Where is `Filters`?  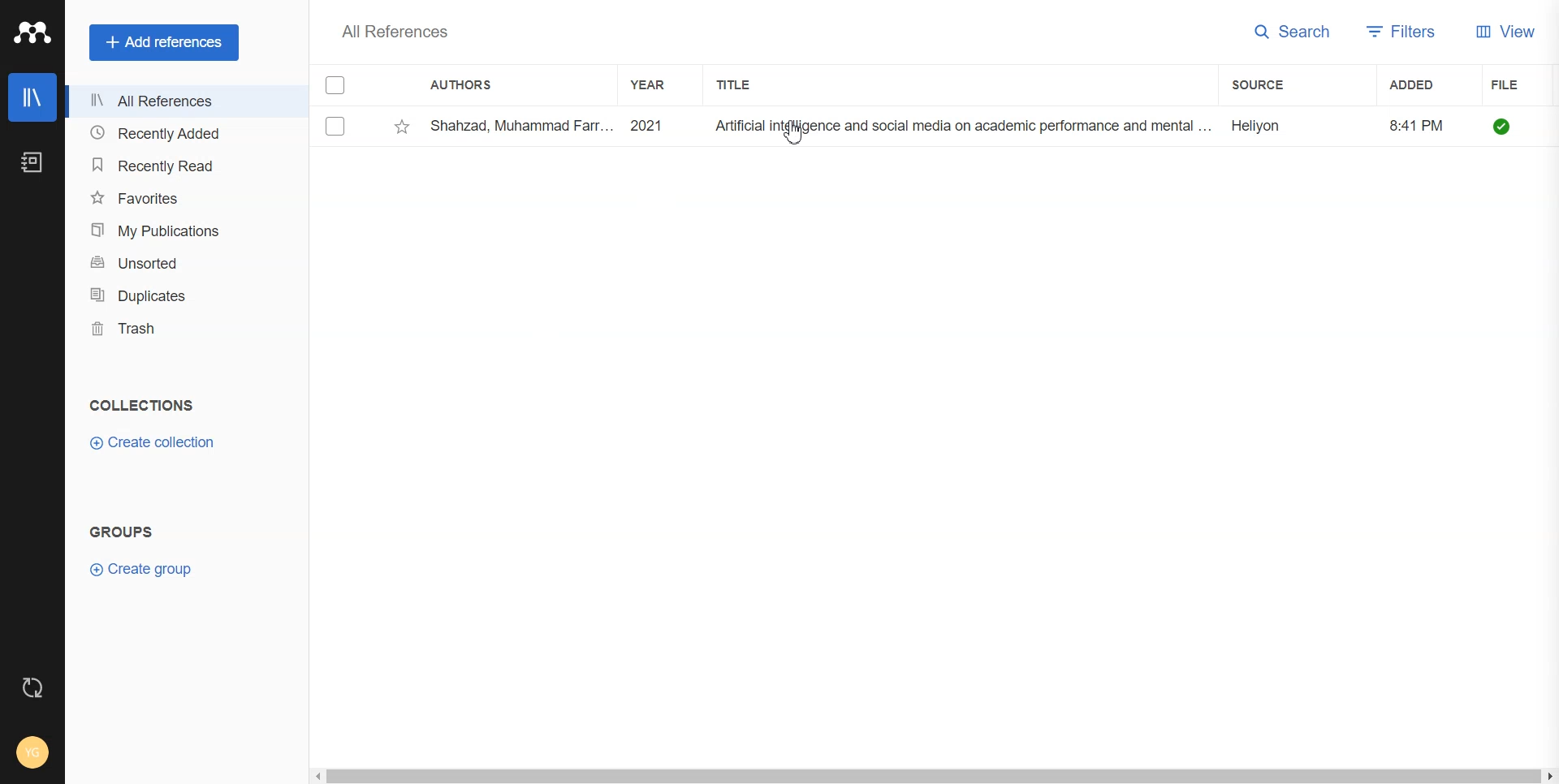
Filters is located at coordinates (1401, 33).